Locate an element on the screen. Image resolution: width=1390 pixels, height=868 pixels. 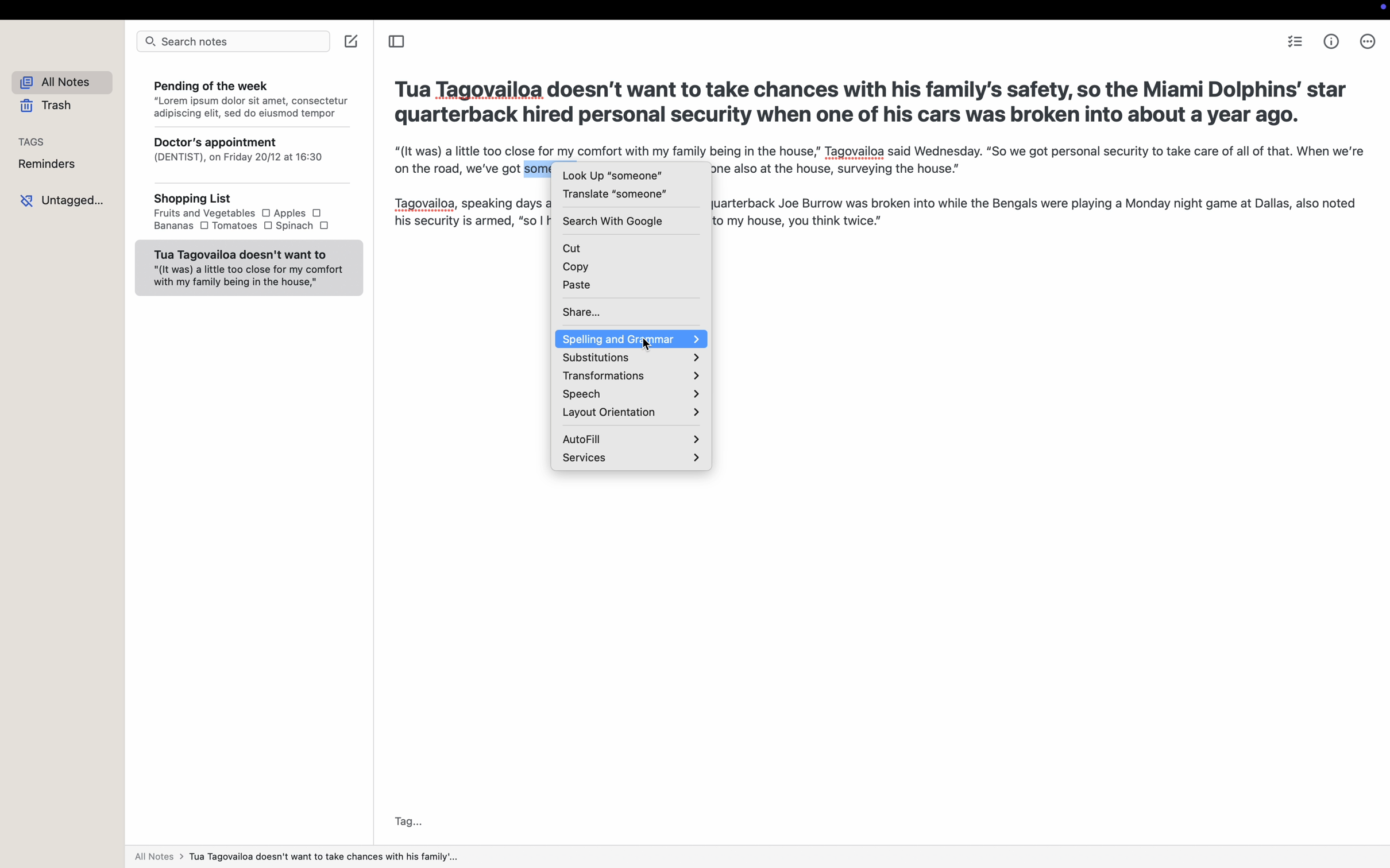
check list is located at coordinates (1294, 41).